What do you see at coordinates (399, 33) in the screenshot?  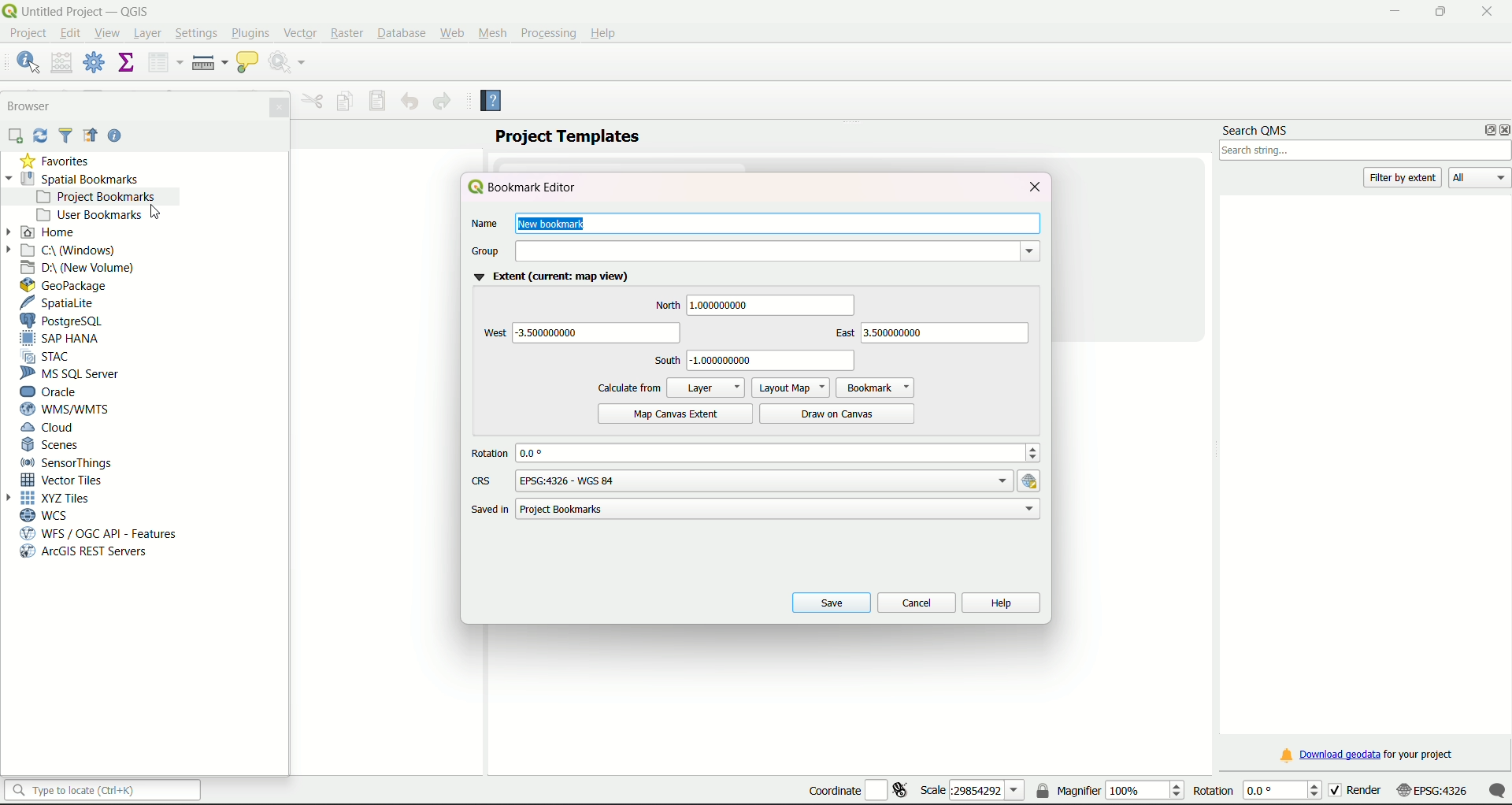 I see `Database` at bounding box center [399, 33].